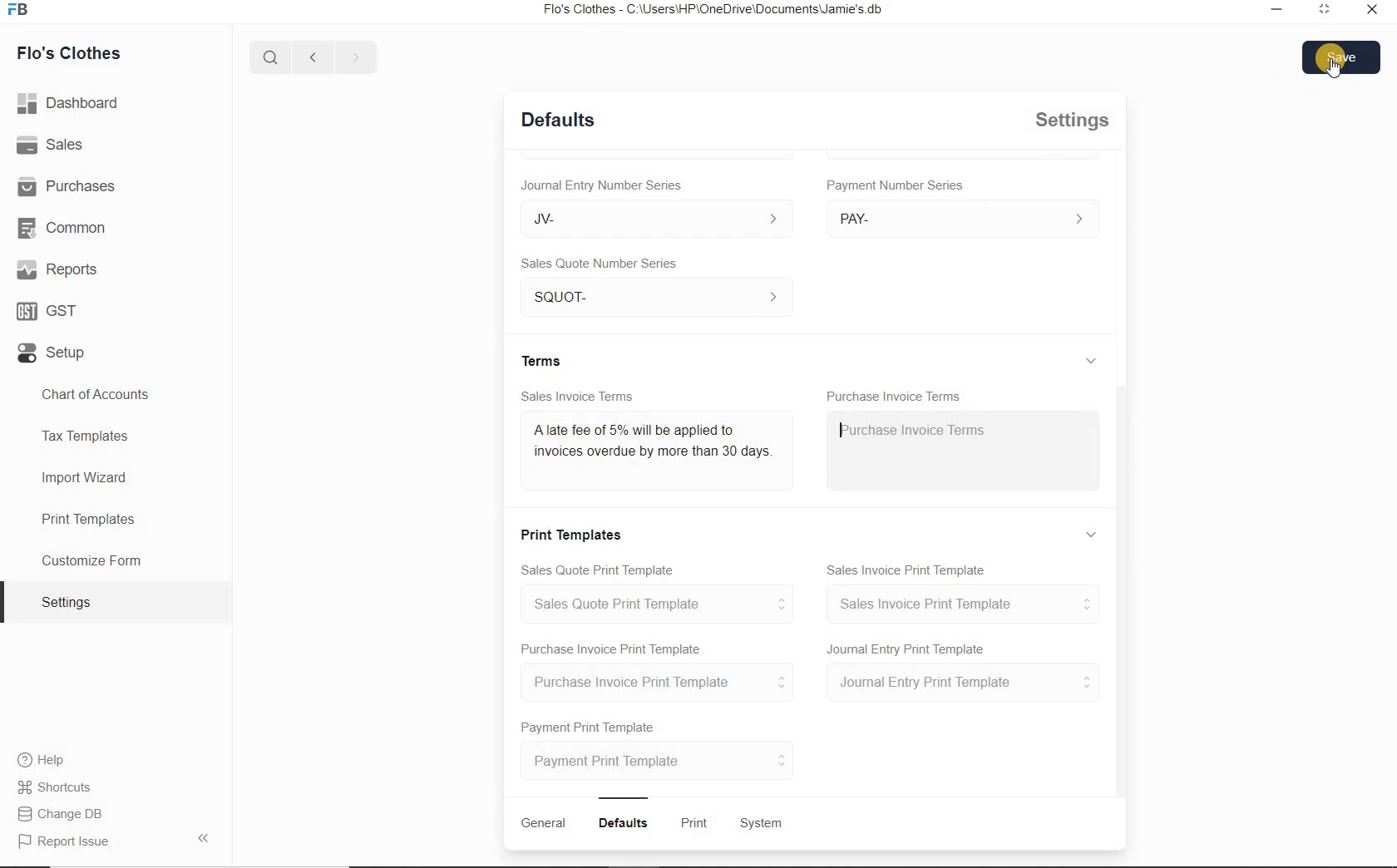 This screenshot has width=1397, height=868. I want to click on Common, so click(66, 229).